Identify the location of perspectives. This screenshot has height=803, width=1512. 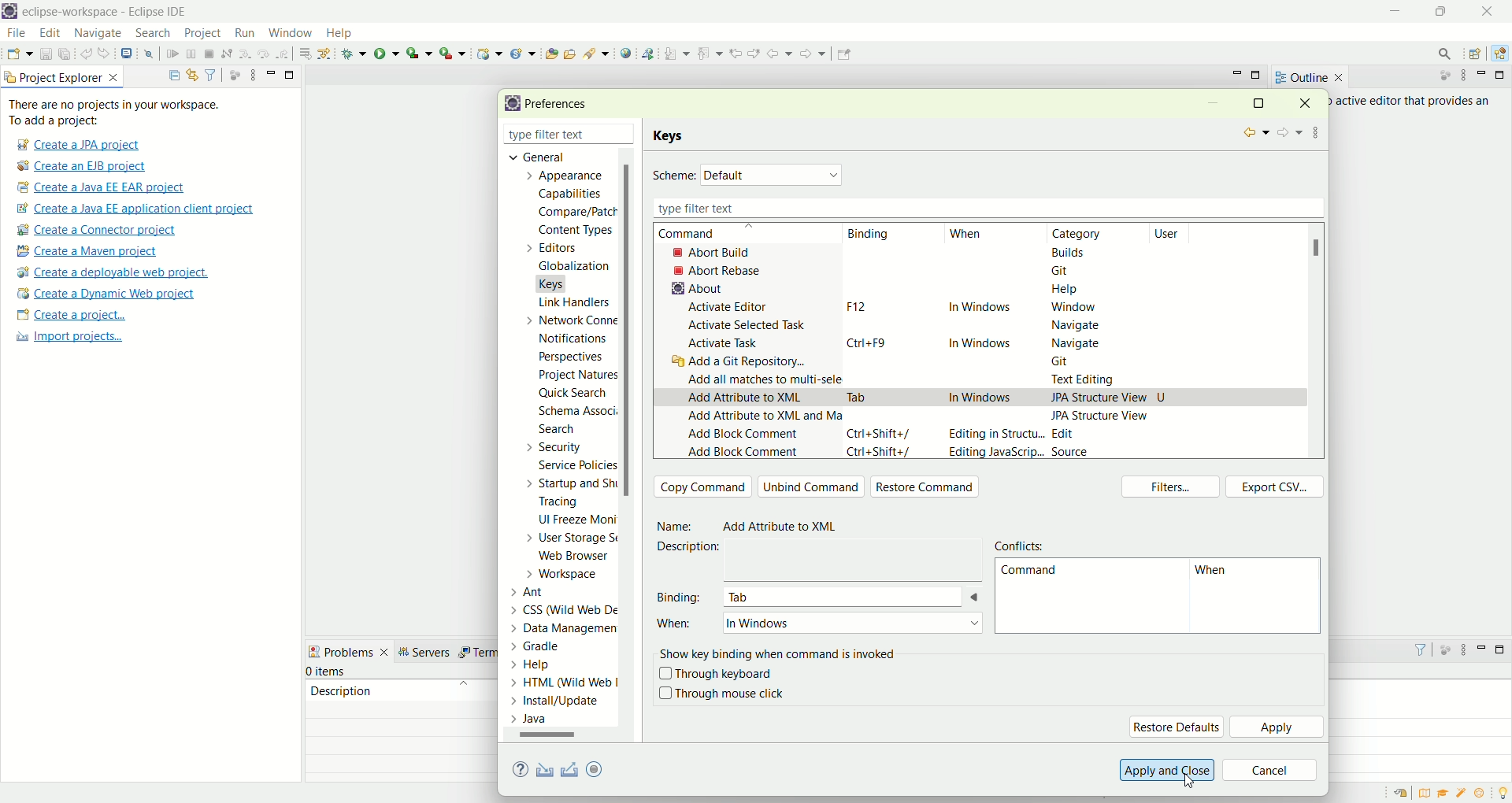
(569, 357).